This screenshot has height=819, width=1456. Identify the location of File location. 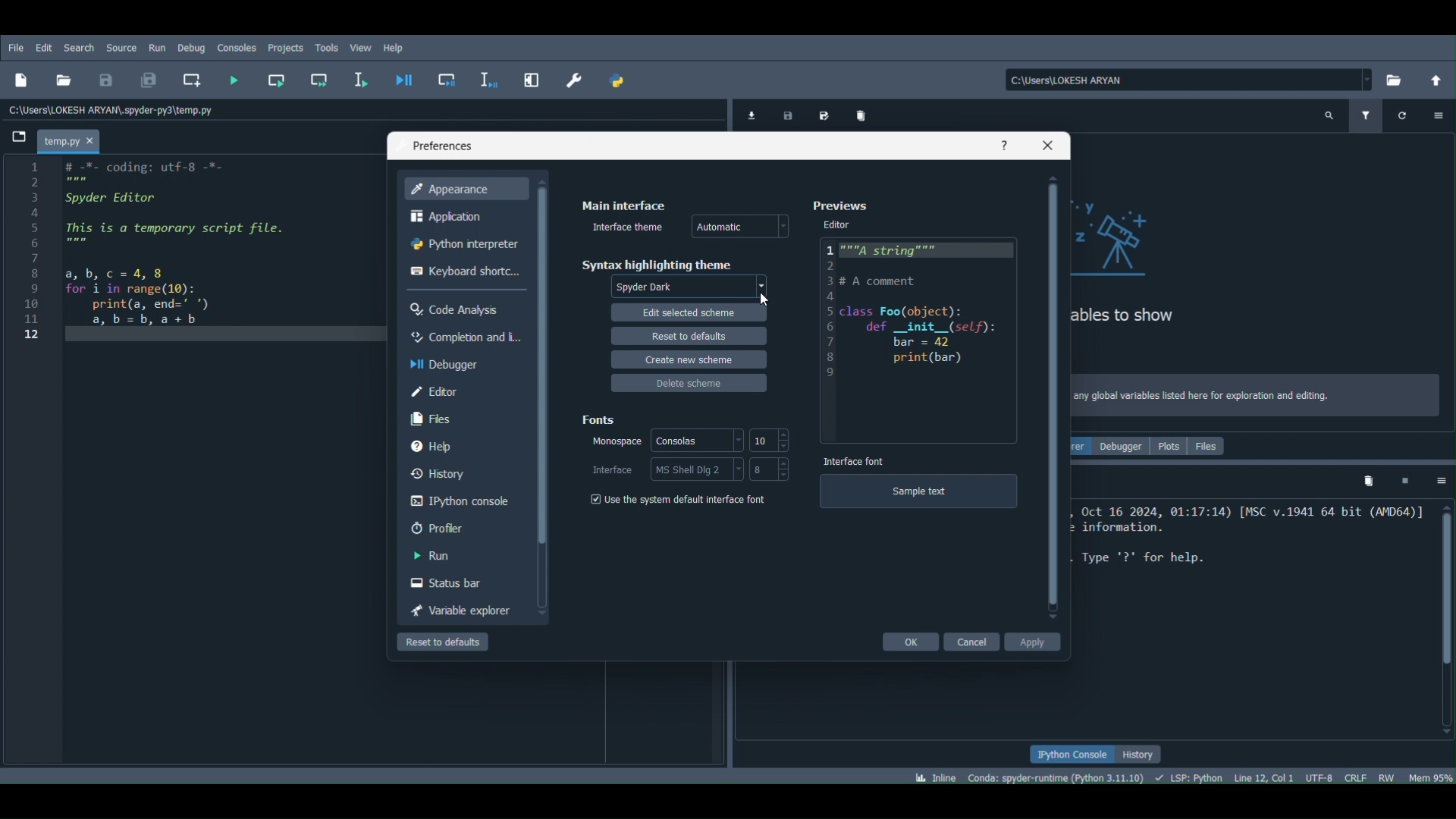
(1185, 77).